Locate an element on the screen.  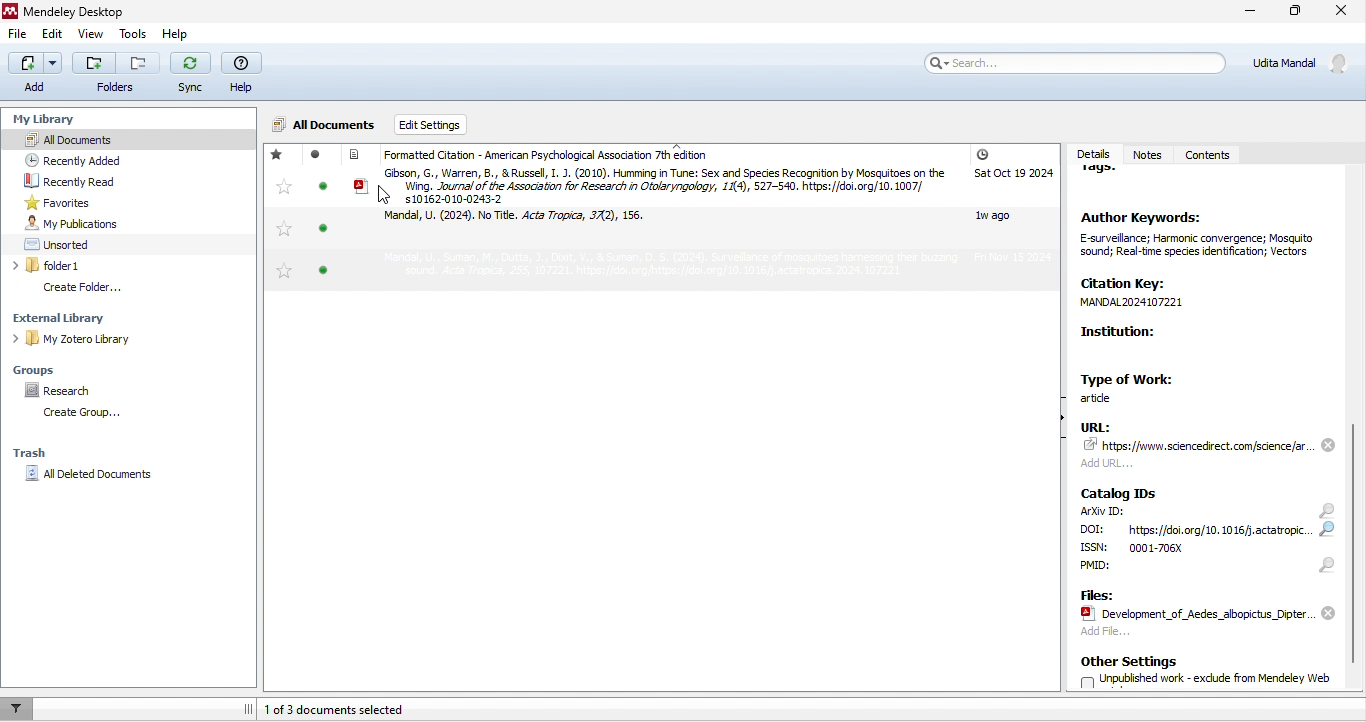
favorites is located at coordinates (59, 202).